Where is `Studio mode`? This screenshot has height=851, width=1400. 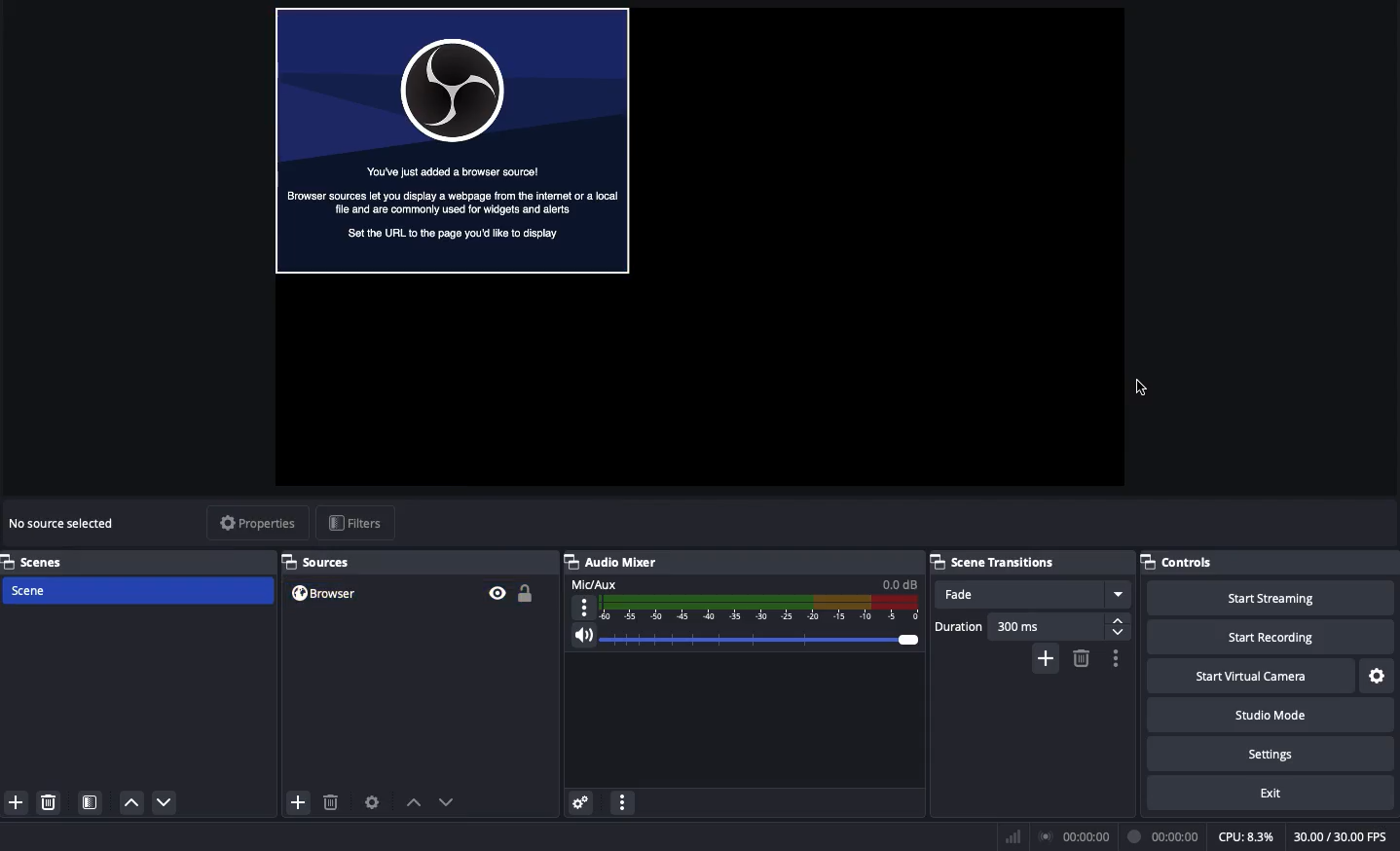 Studio mode is located at coordinates (1269, 713).